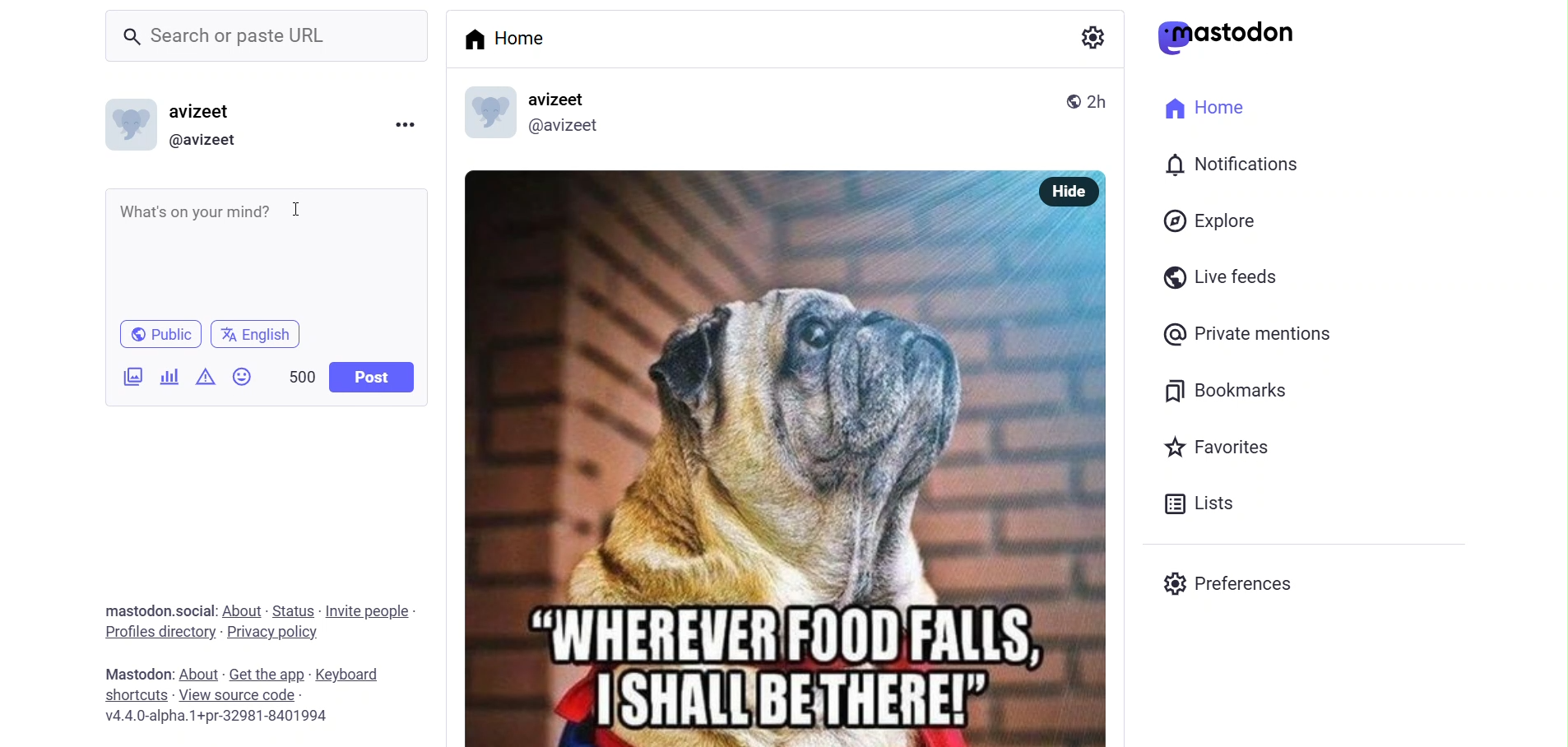  Describe the element at coordinates (207, 141) in the screenshot. I see `id` at that location.